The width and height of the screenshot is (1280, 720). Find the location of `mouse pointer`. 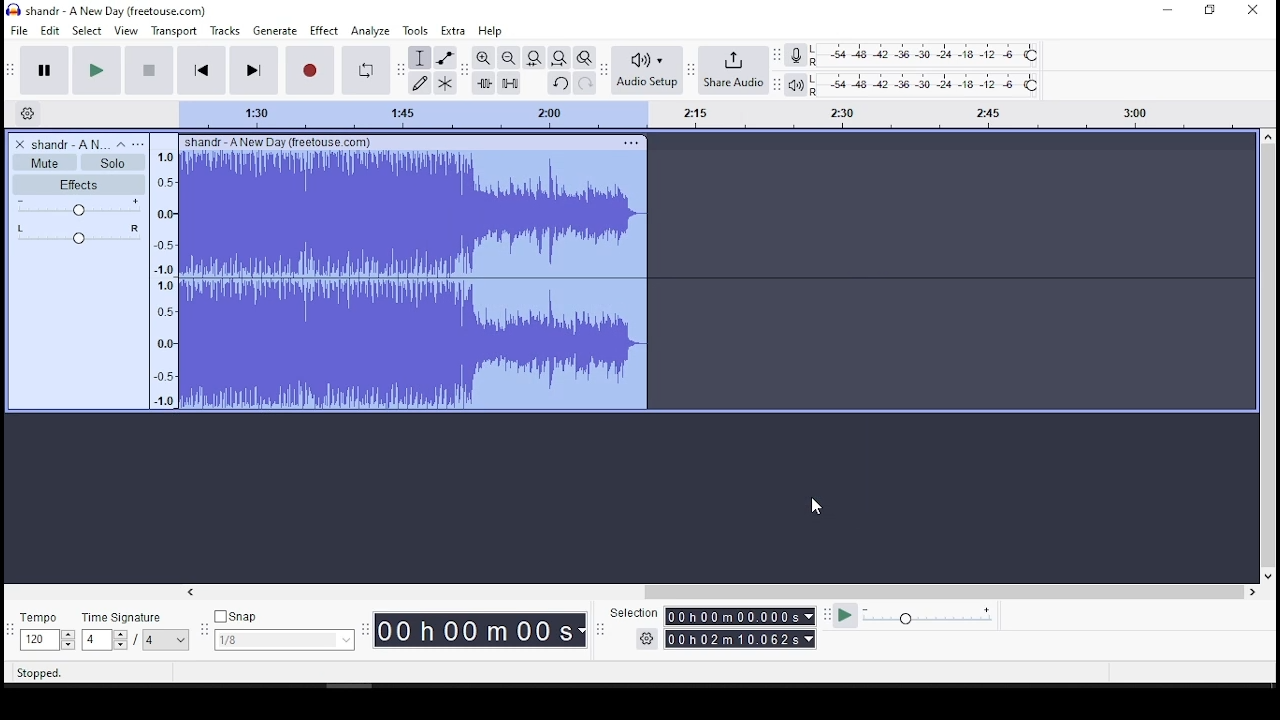

mouse pointer is located at coordinates (816, 507).